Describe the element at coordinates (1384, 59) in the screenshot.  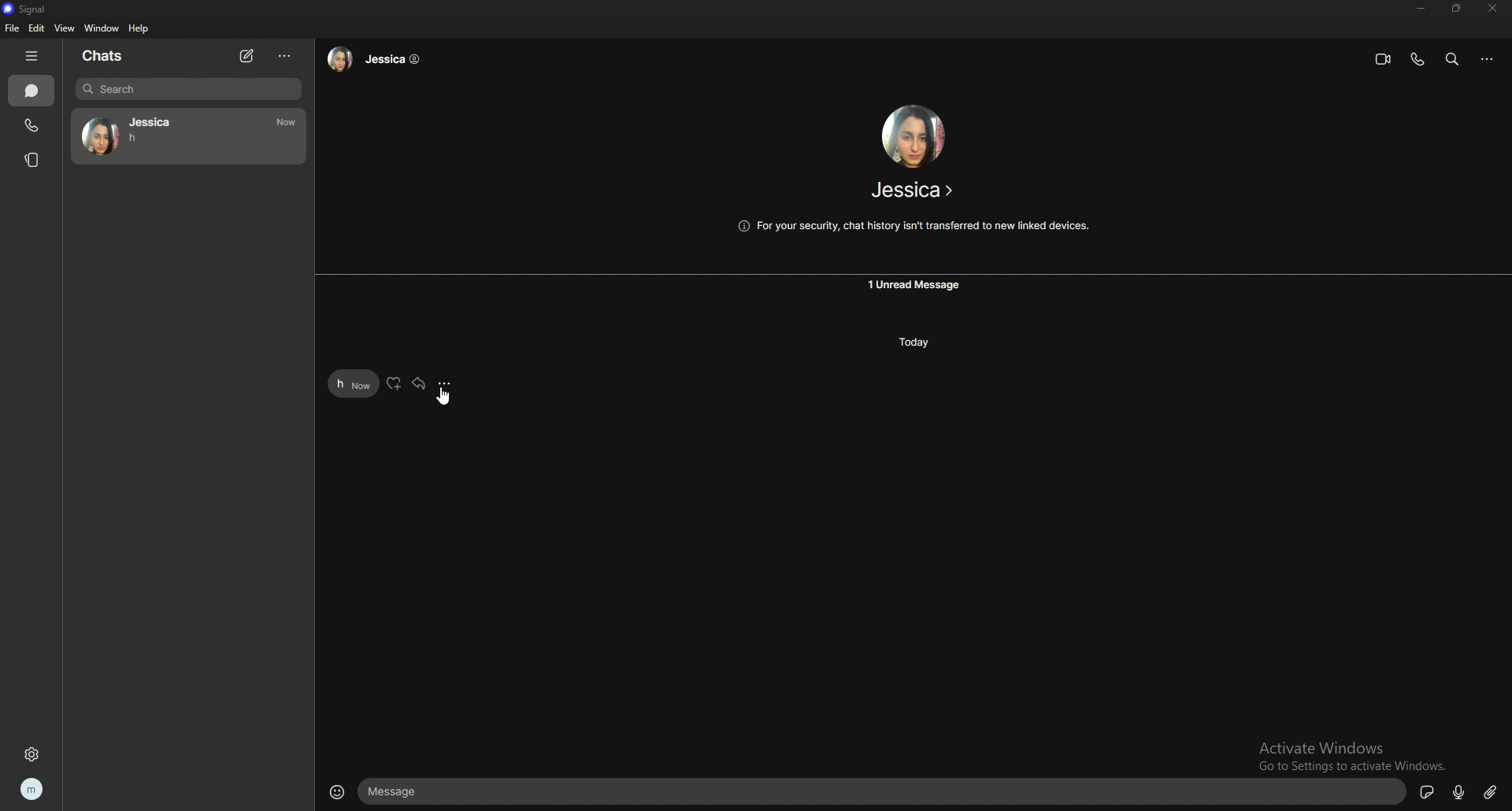
I see `video call` at that location.